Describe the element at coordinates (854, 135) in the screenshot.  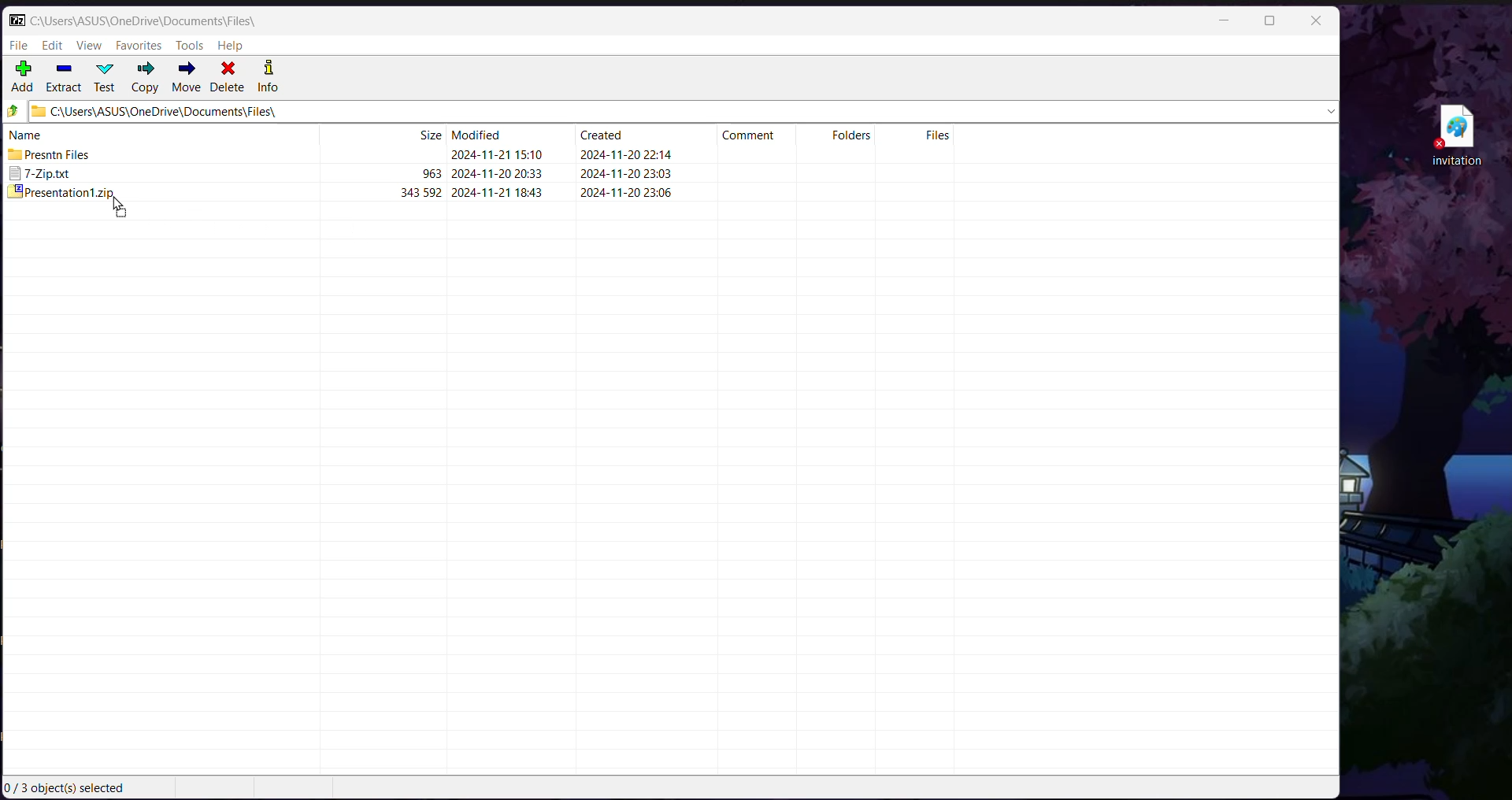
I see `Folders` at that location.